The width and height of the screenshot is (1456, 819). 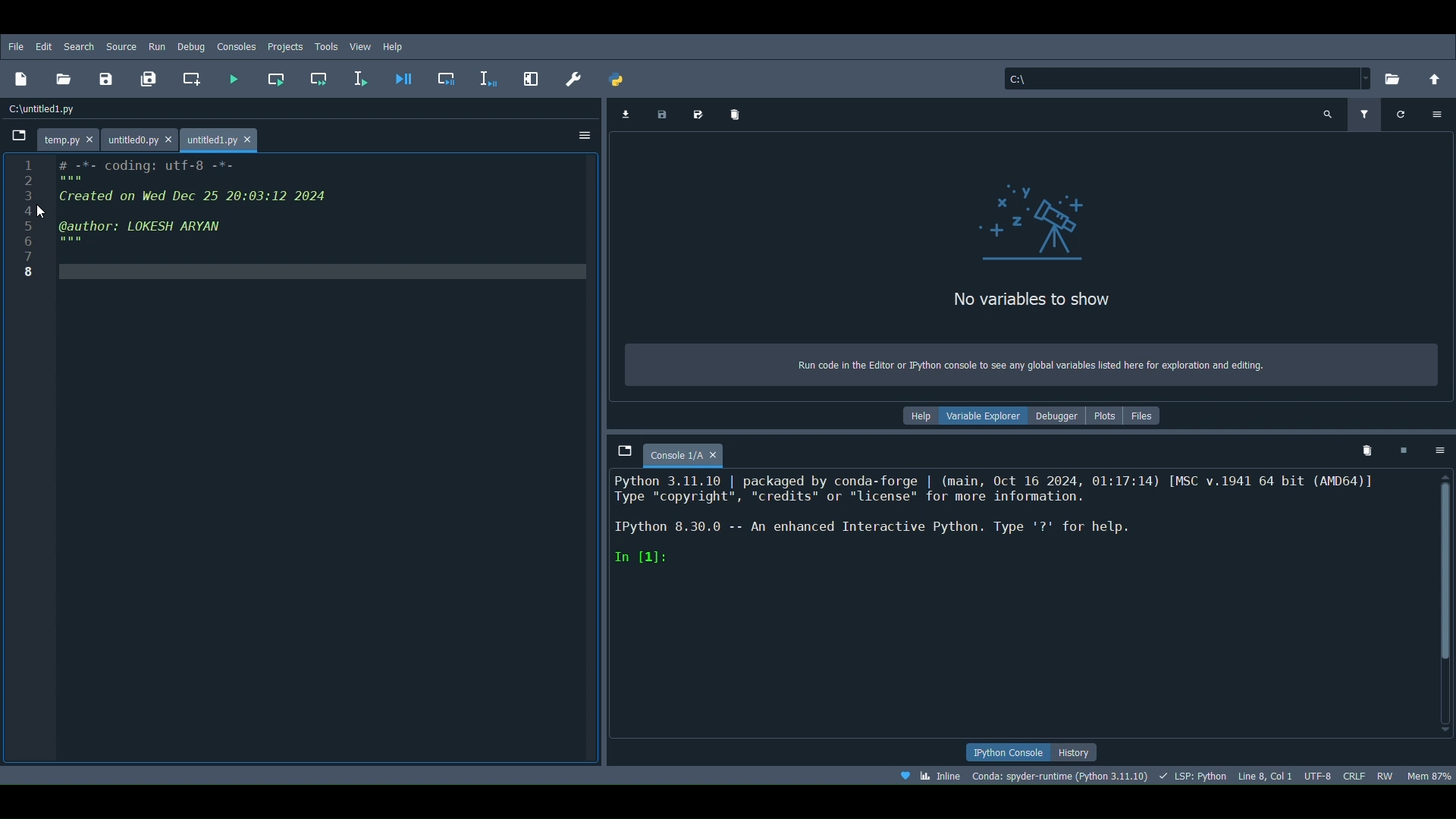 What do you see at coordinates (1019, 606) in the screenshot?
I see `Console` at bounding box center [1019, 606].